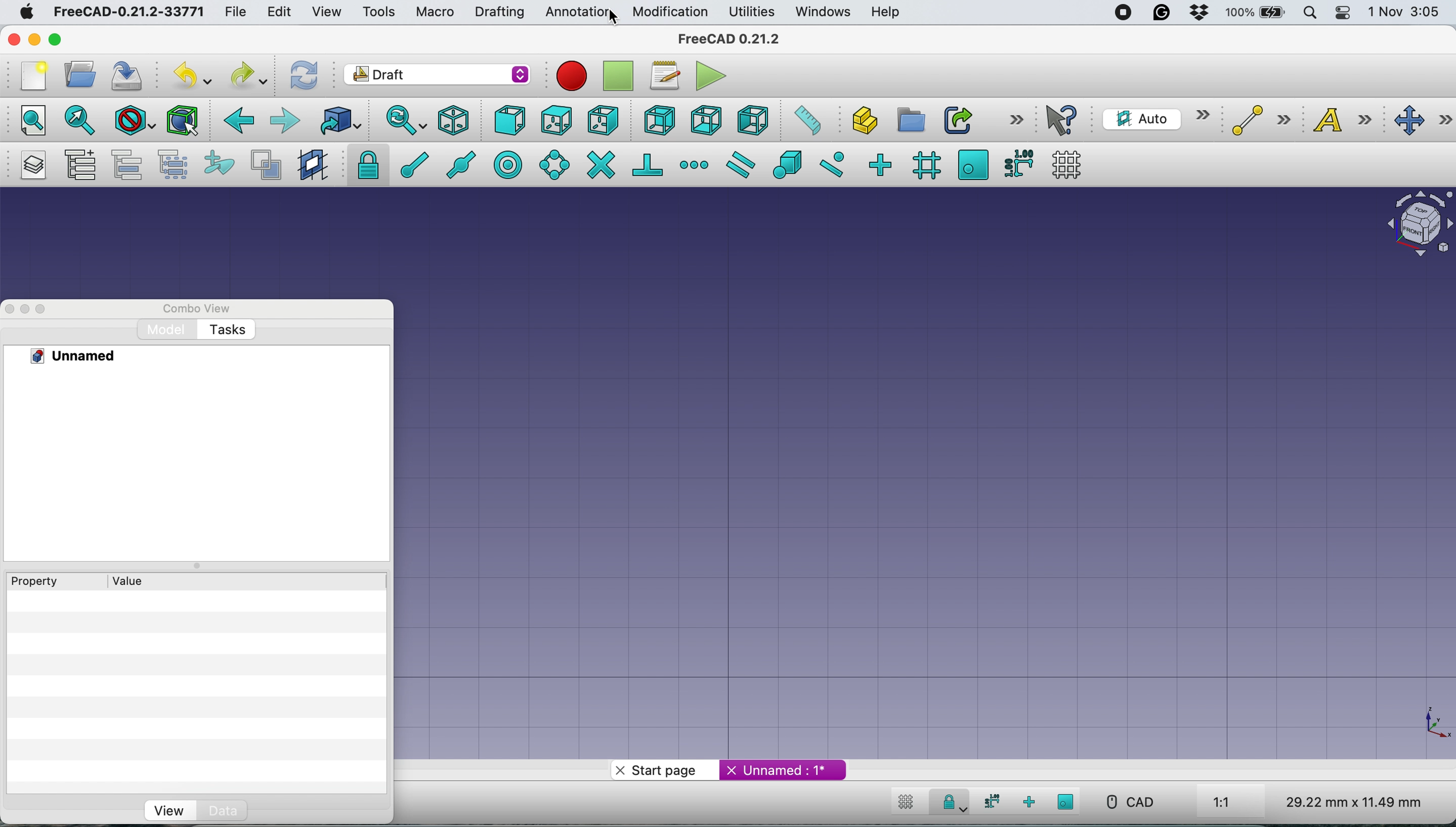  What do you see at coordinates (923, 166) in the screenshot?
I see `snap grid` at bounding box center [923, 166].